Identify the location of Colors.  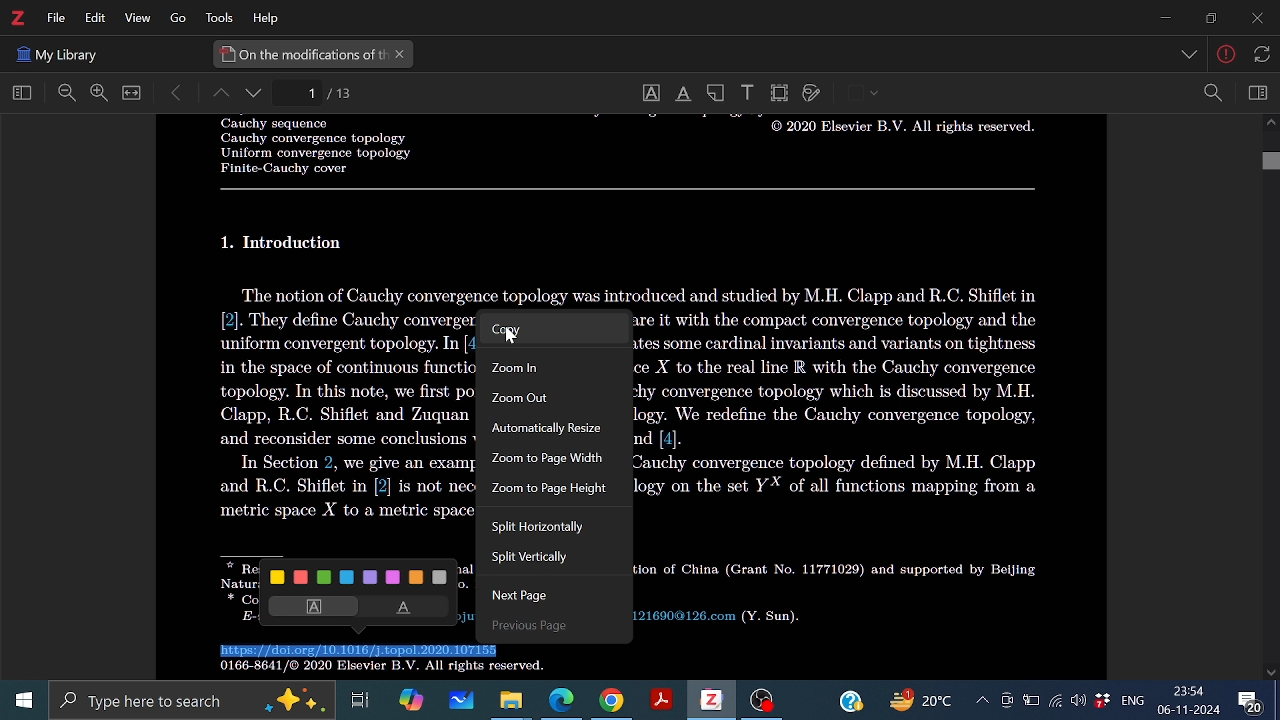
(361, 576).